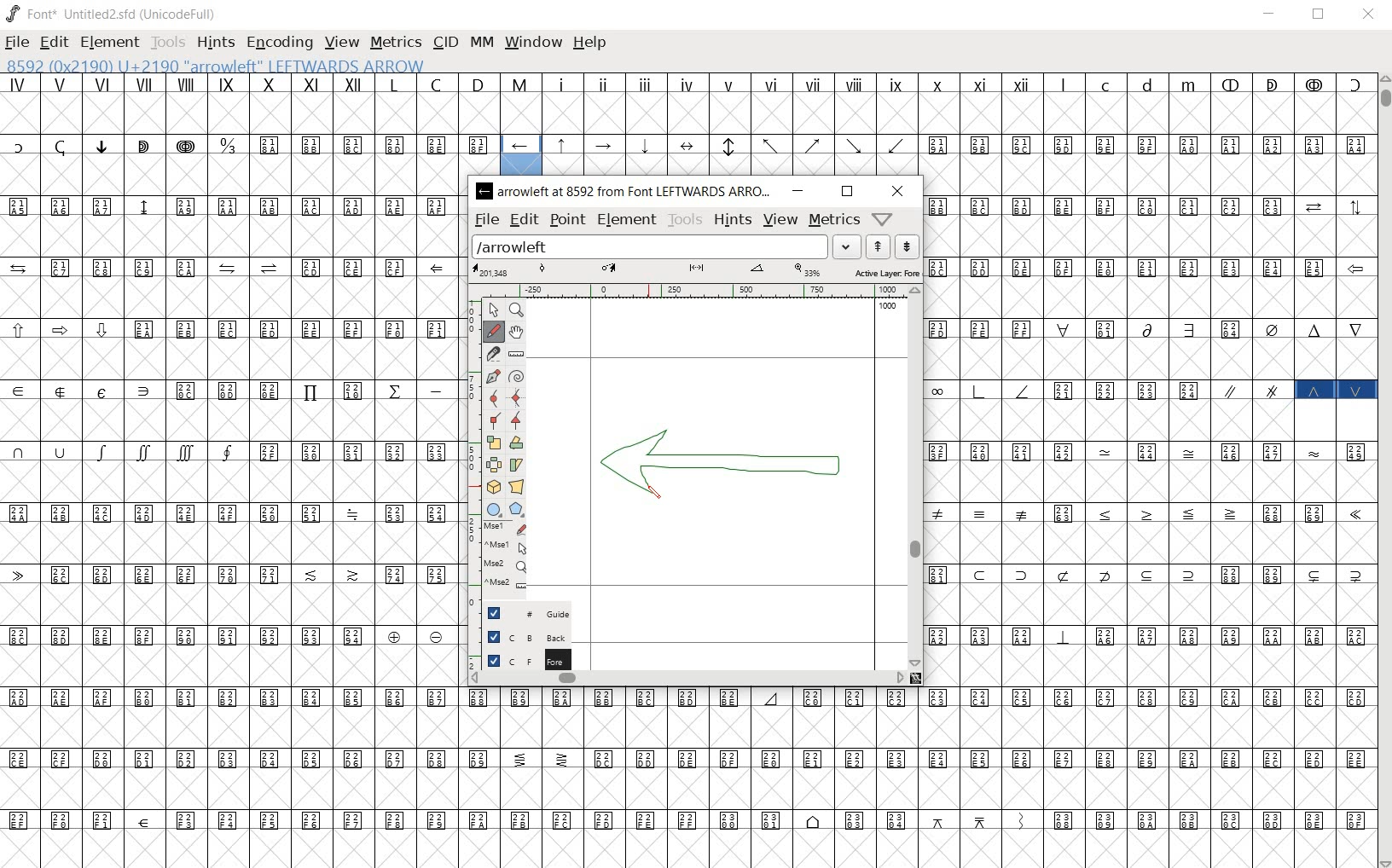  I want to click on cut splines in two, so click(492, 354).